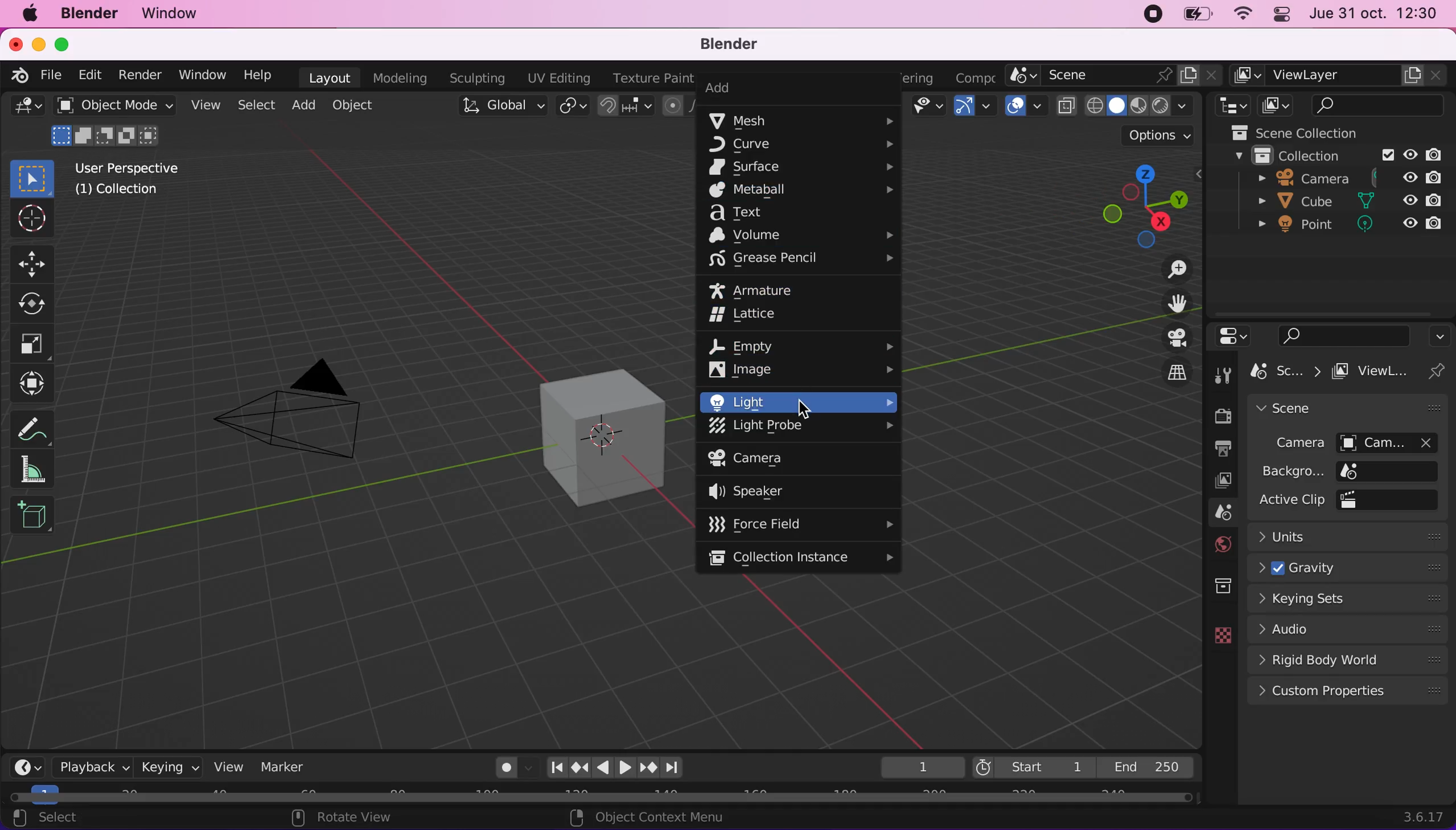 Image resolution: width=1456 pixels, height=830 pixels. What do you see at coordinates (37, 176) in the screenshot?
I see `select box` at bounding box center [37, 176].